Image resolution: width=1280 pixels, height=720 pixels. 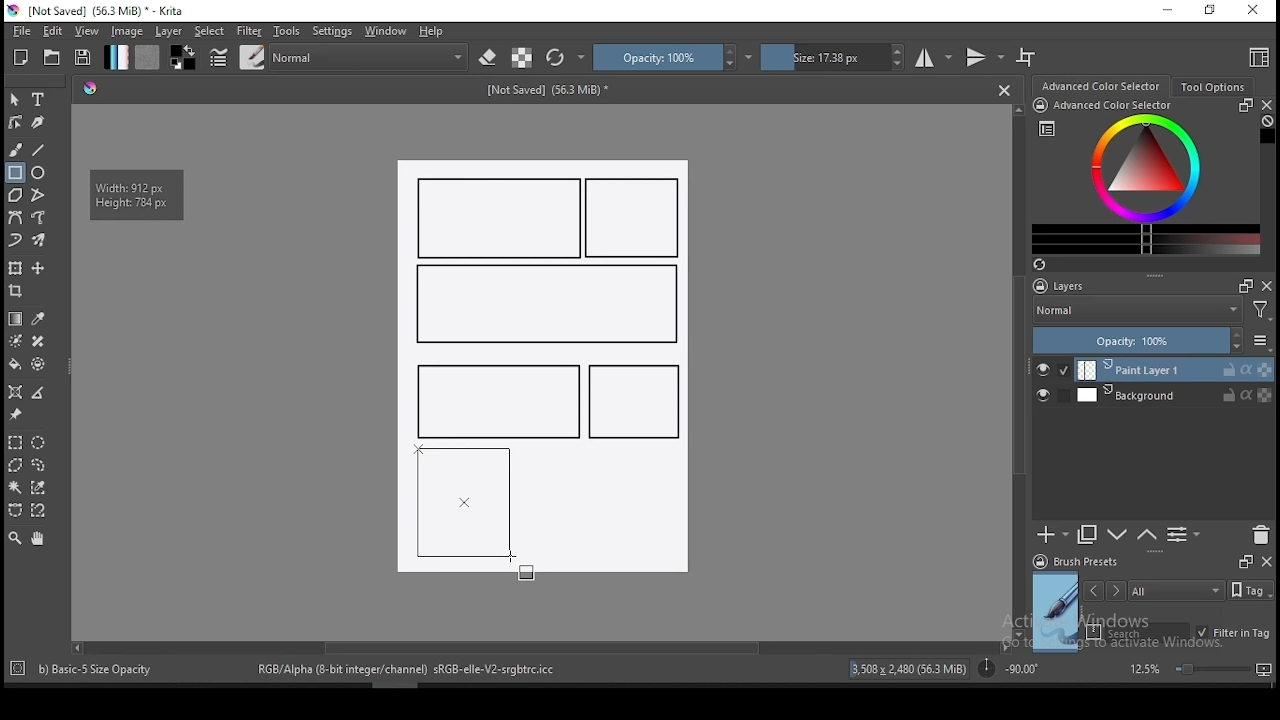 What do you see at coordinates (86, 31) in the screenshot?
I see `view` at bounding box center [86, 31].